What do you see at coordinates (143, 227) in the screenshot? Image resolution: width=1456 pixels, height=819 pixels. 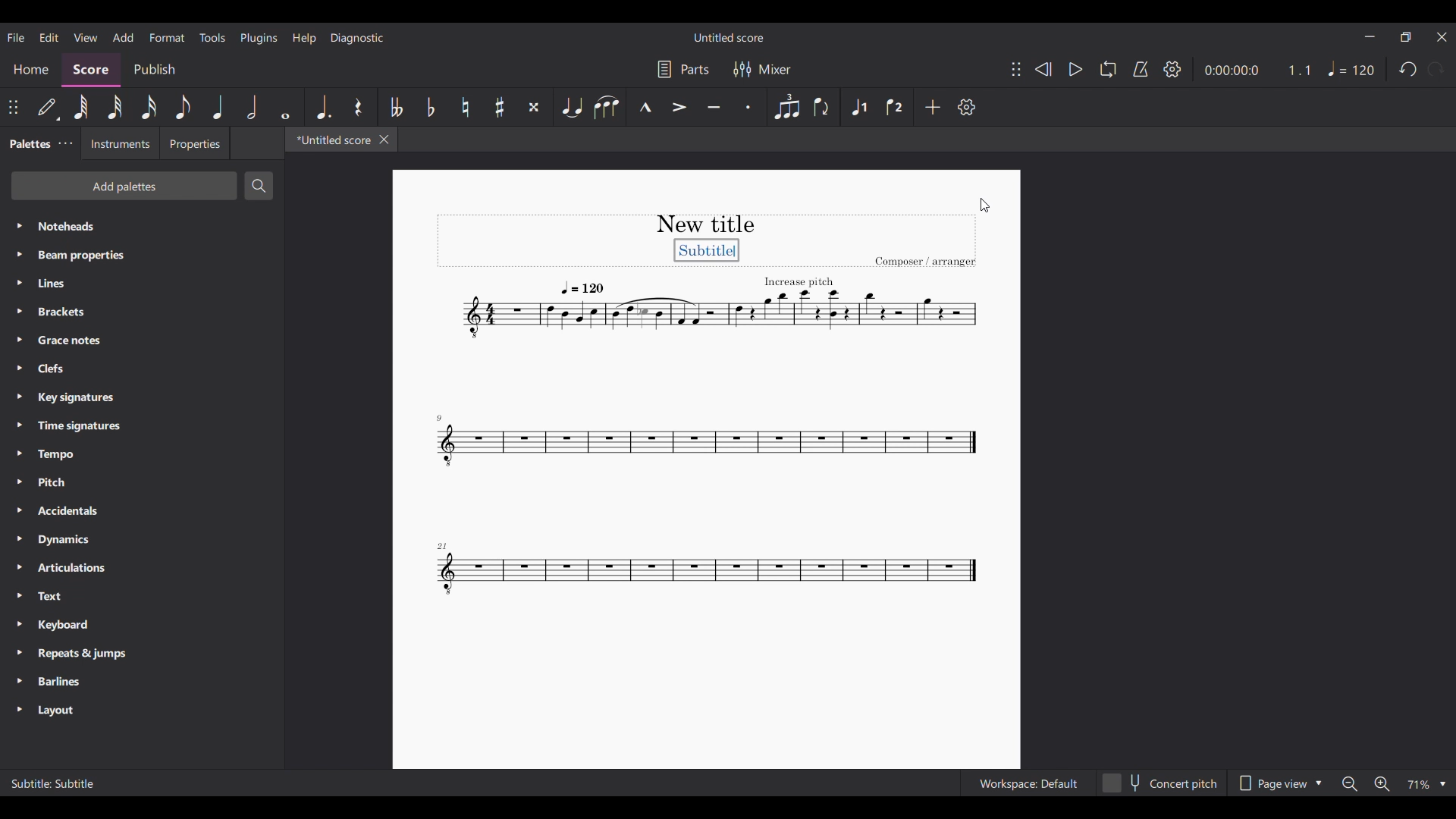 I see `Noteheads` at bounding box center [143, 227].